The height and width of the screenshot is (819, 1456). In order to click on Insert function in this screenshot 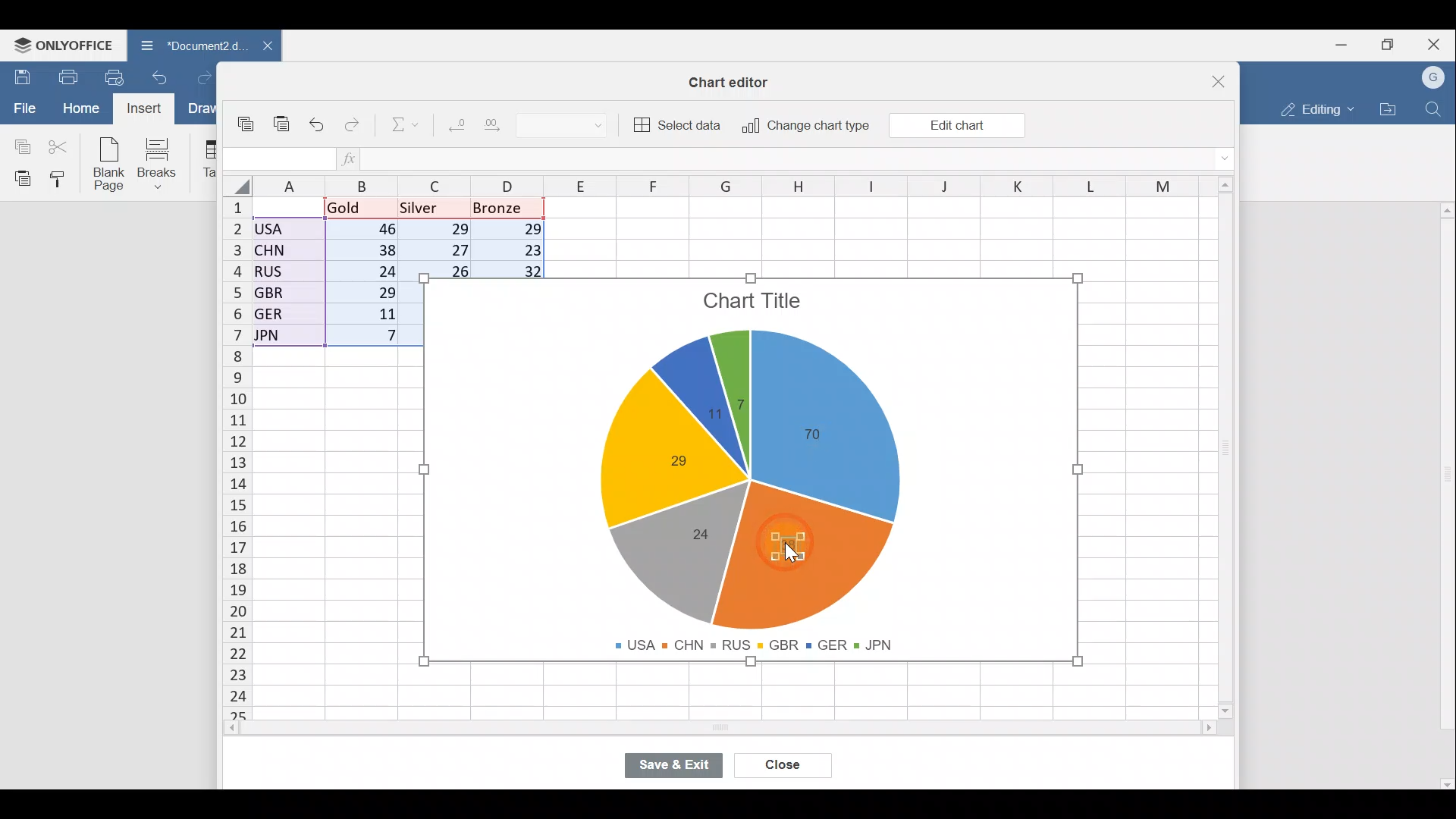, I will do `click(359, 158)`.